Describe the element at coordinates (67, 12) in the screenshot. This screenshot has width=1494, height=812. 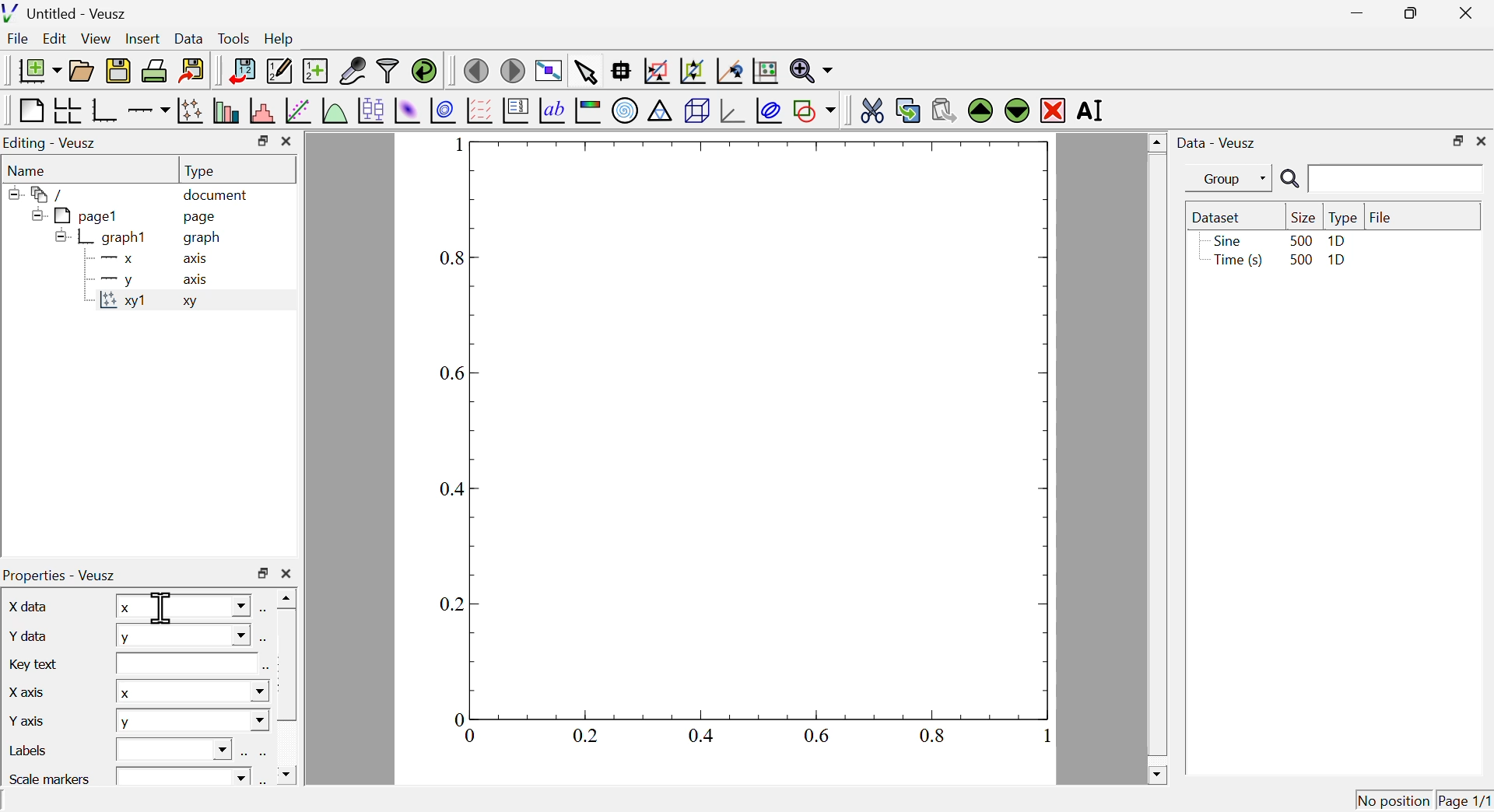
I see `untitled - veusz` at that location.